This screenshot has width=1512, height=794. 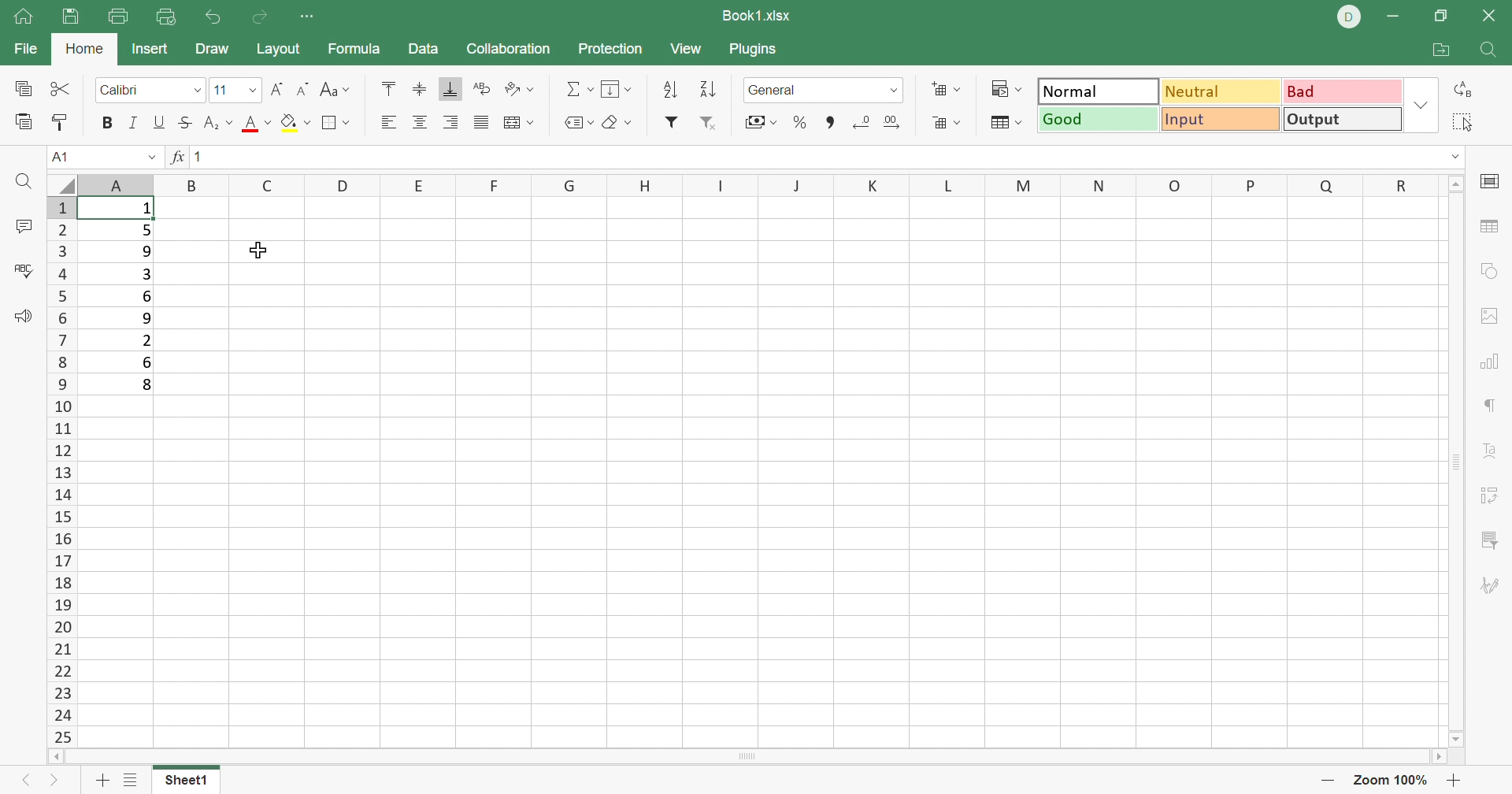 I want to click on Replace, so click(x=1462, y=91).